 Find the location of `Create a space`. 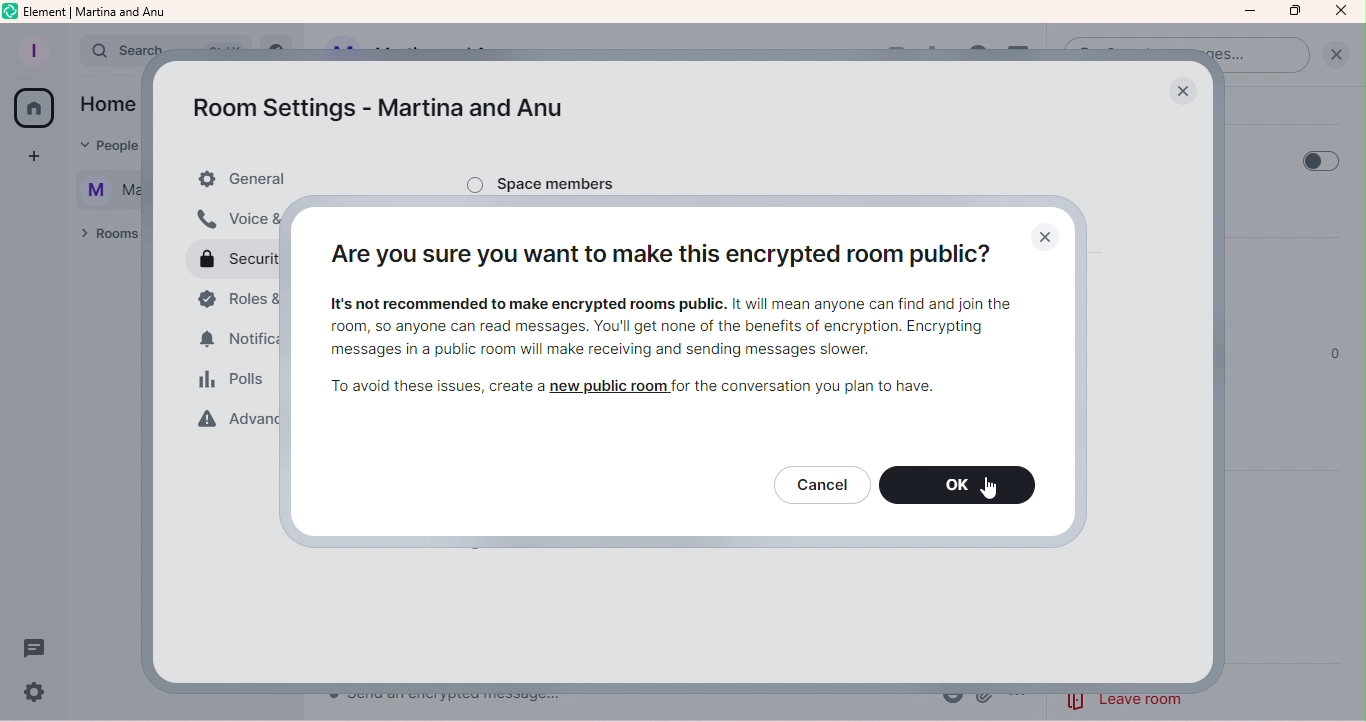

Create a space is located at coordinates (38, 160).